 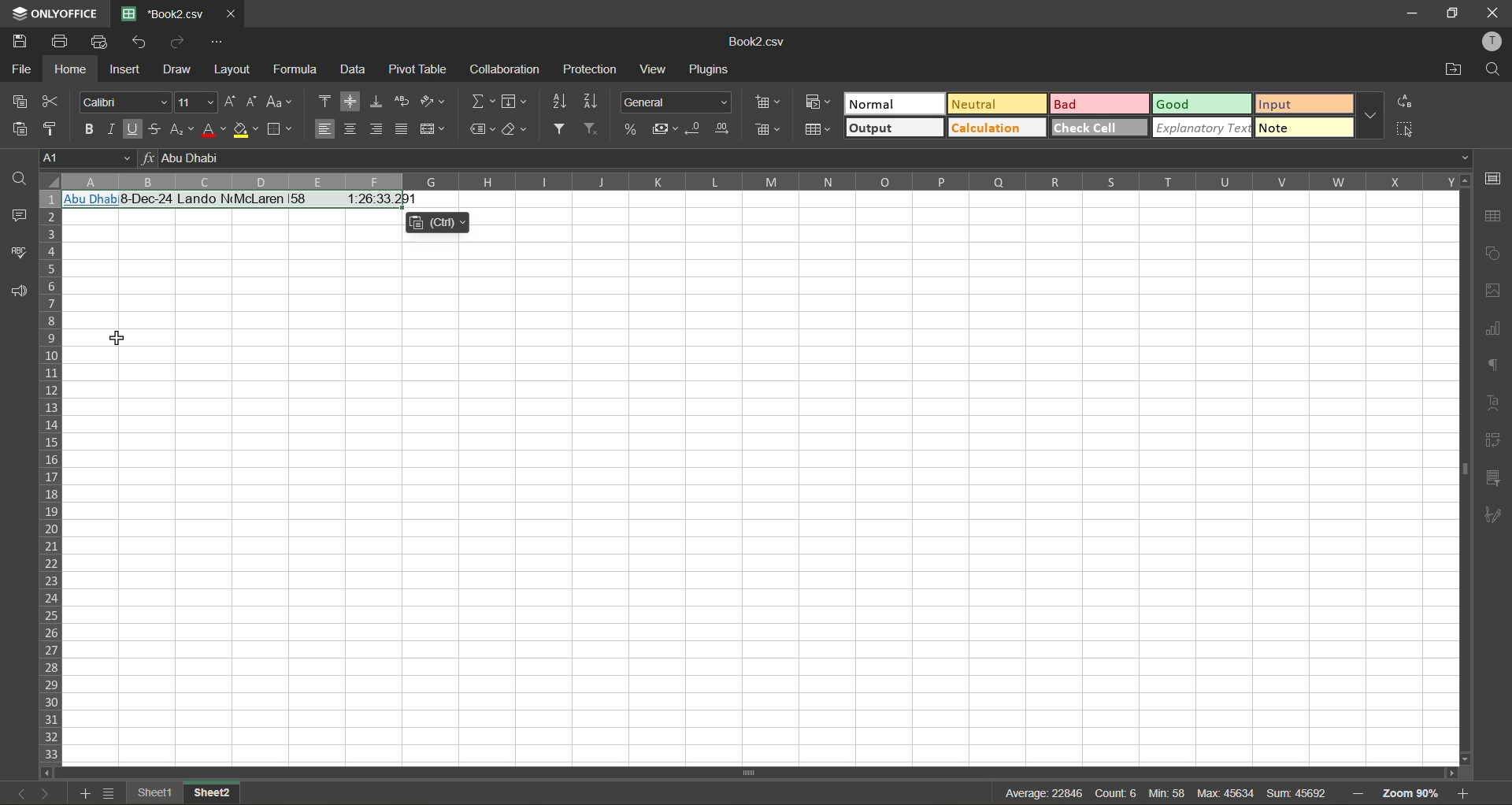 I want to click on calculation, so click(x=998, y=128).